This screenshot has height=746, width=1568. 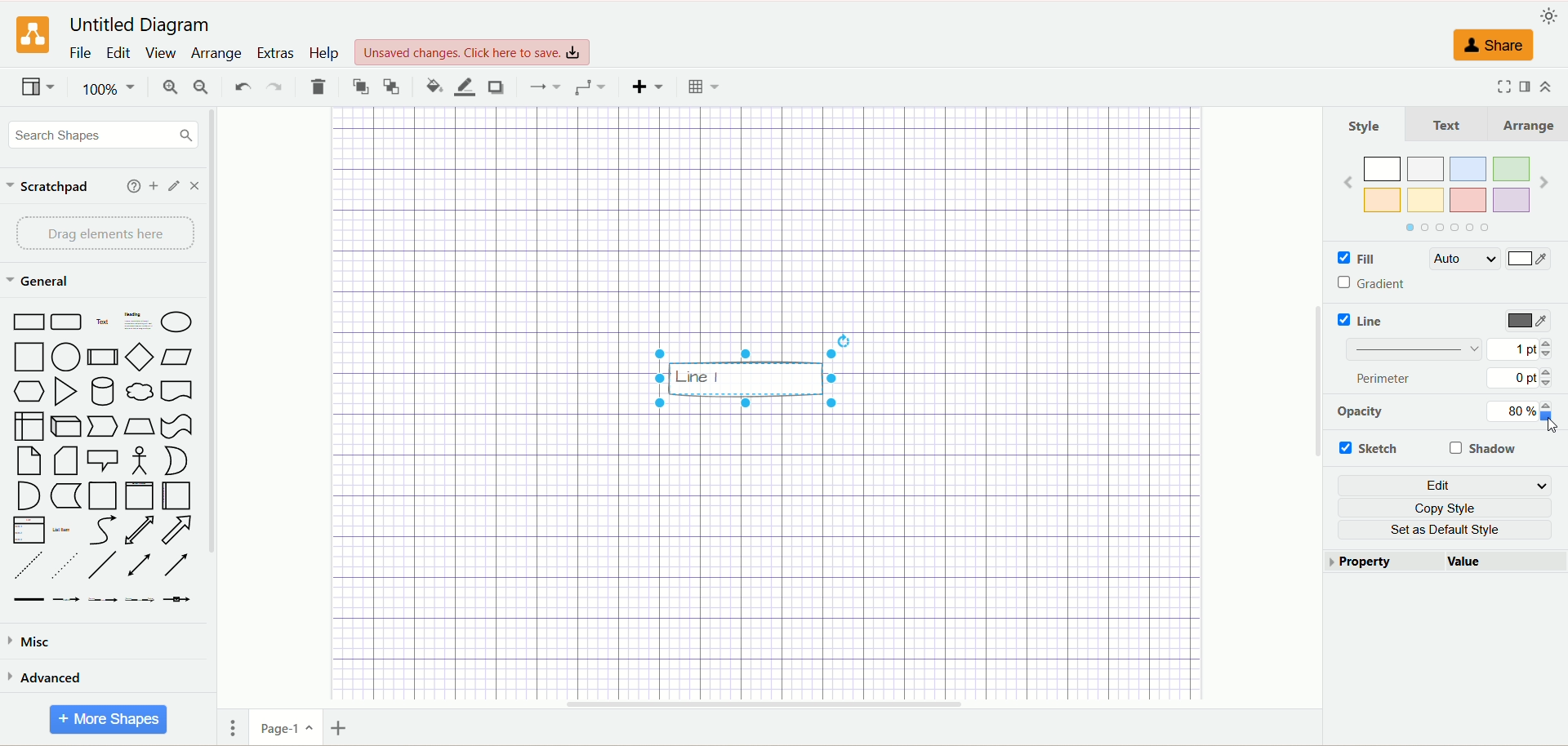 What do you see at coordinates (153, 186) in the screenshot?
I see `add` at bounding box center [153, 186].